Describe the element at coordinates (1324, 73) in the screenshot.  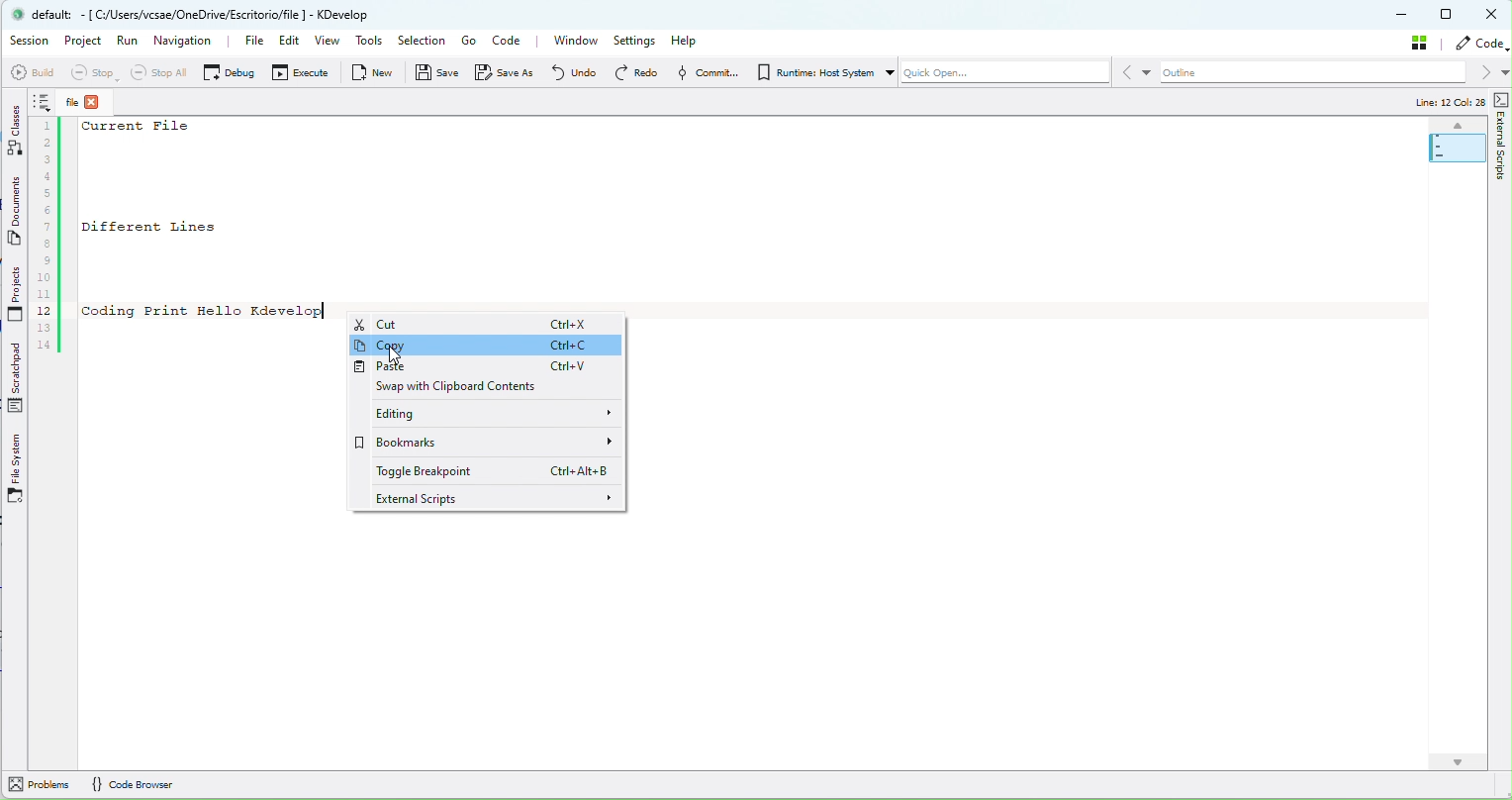
I see `outline` at that location.